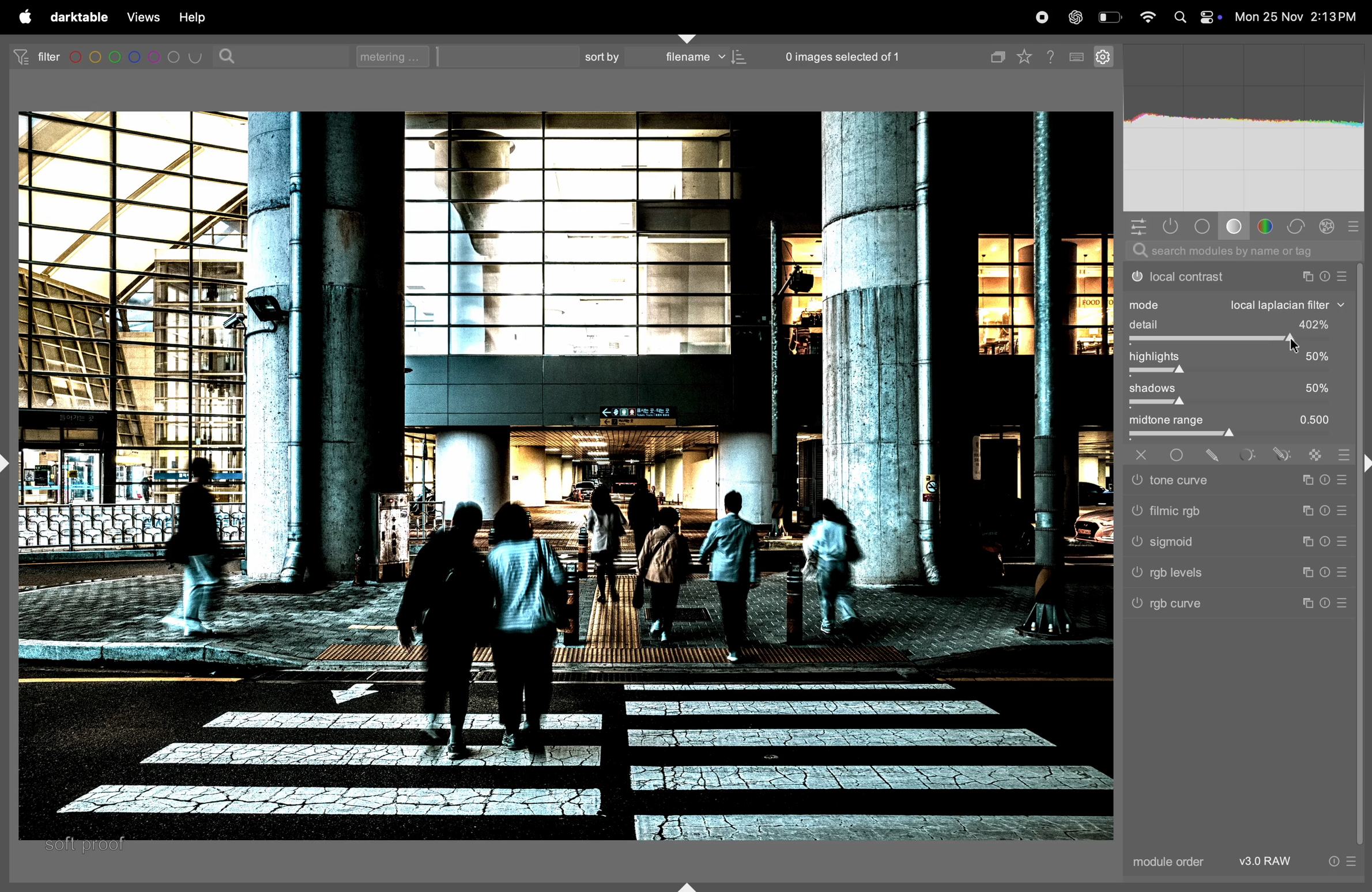 The height and width of the screenshot is (892, 1372). What do you see at coordinates (1053, 55) in the screenshot?
I see `help` at bounding box center [1053, 55].